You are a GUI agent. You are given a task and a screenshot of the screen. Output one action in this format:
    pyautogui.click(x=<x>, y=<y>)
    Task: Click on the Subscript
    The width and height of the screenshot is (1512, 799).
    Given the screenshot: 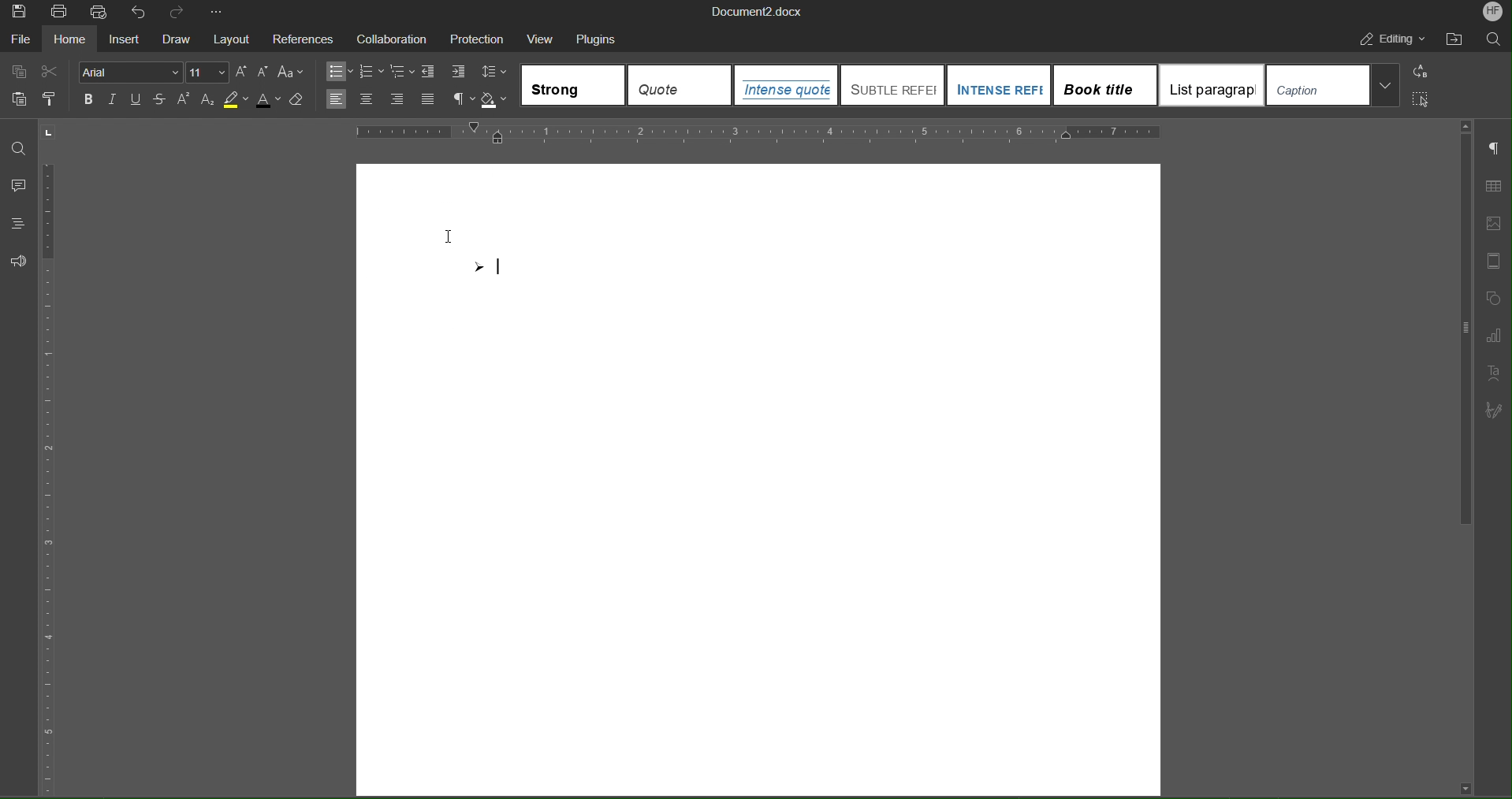 What is the action you would take?
    pyautogui.click(x=214, y=100)
    